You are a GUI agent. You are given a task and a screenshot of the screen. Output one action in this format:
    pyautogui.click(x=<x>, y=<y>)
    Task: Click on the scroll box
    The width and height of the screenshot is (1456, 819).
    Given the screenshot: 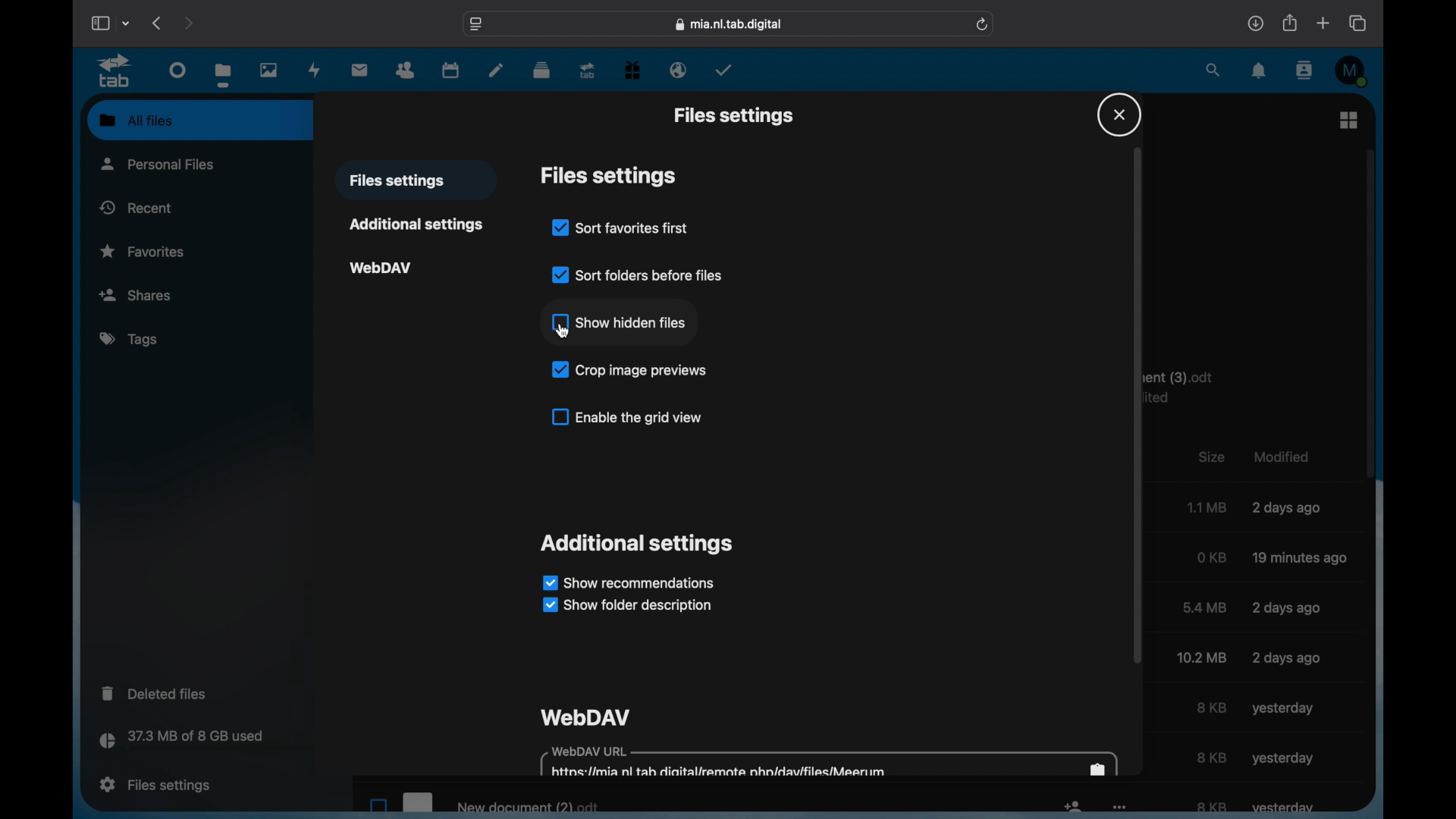 What is the action you would take?
    pyautogui.click(x=1370, y=312)
    